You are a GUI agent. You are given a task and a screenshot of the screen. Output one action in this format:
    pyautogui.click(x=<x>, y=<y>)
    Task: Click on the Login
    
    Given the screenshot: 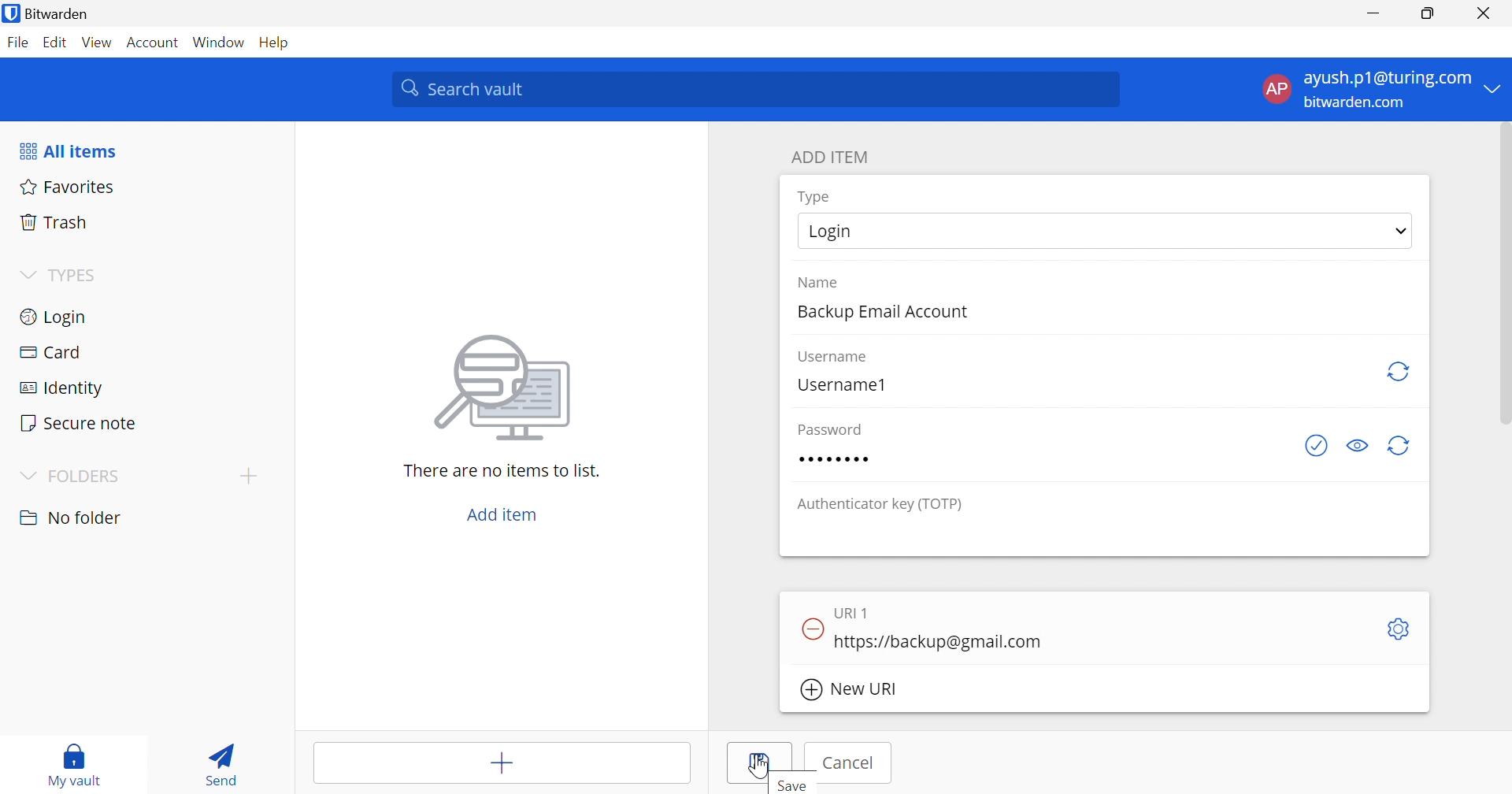 What is the action you would take?
    pyautogui.click(x=829, y=232)
    